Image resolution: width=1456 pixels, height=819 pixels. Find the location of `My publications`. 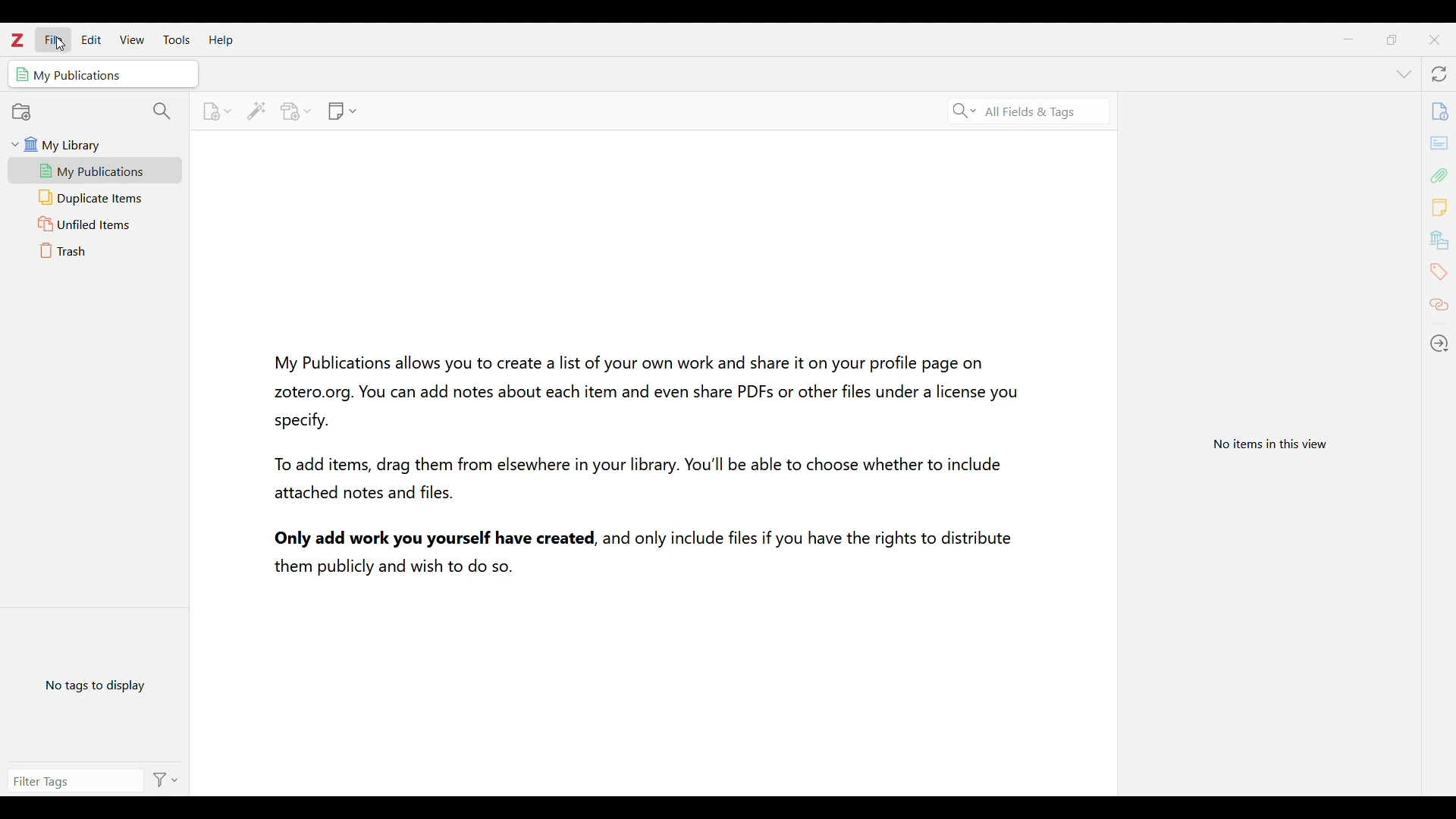

My publications is located at coordinates (95, 171).